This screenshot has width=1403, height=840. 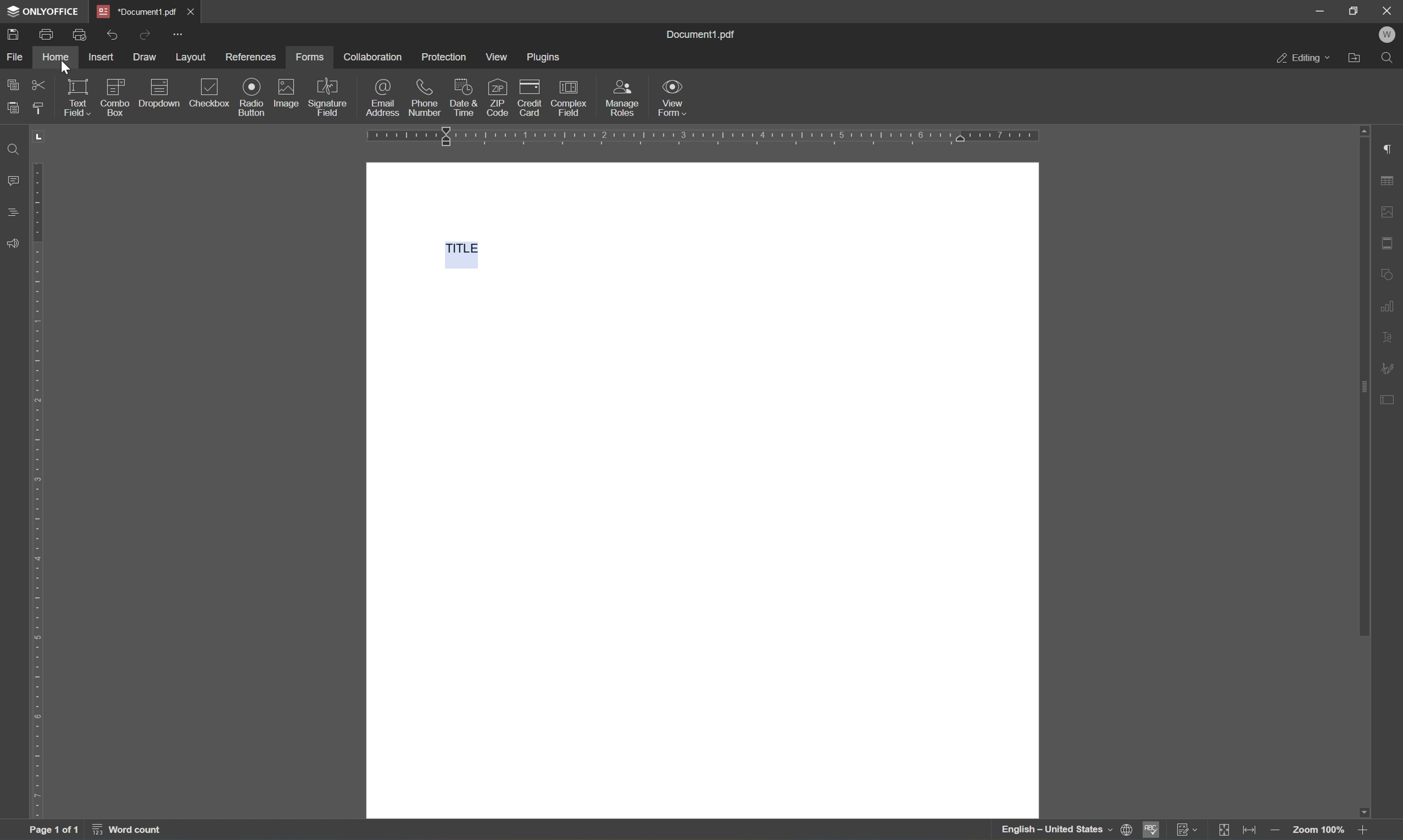 I want to click on layout, so click(x=190, y=59).